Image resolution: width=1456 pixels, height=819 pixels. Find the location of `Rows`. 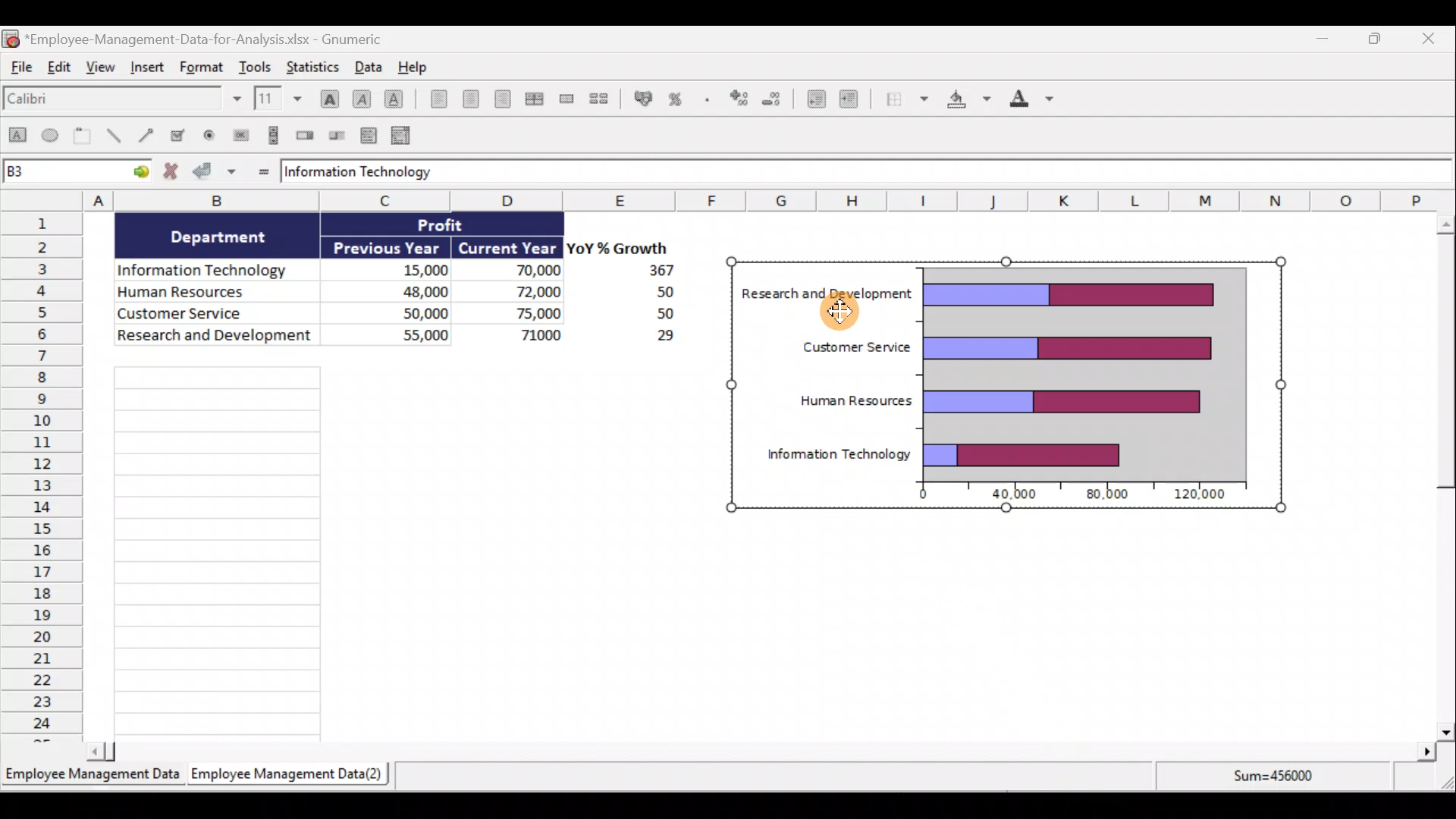

Rows is located at coordinates (42, 478).